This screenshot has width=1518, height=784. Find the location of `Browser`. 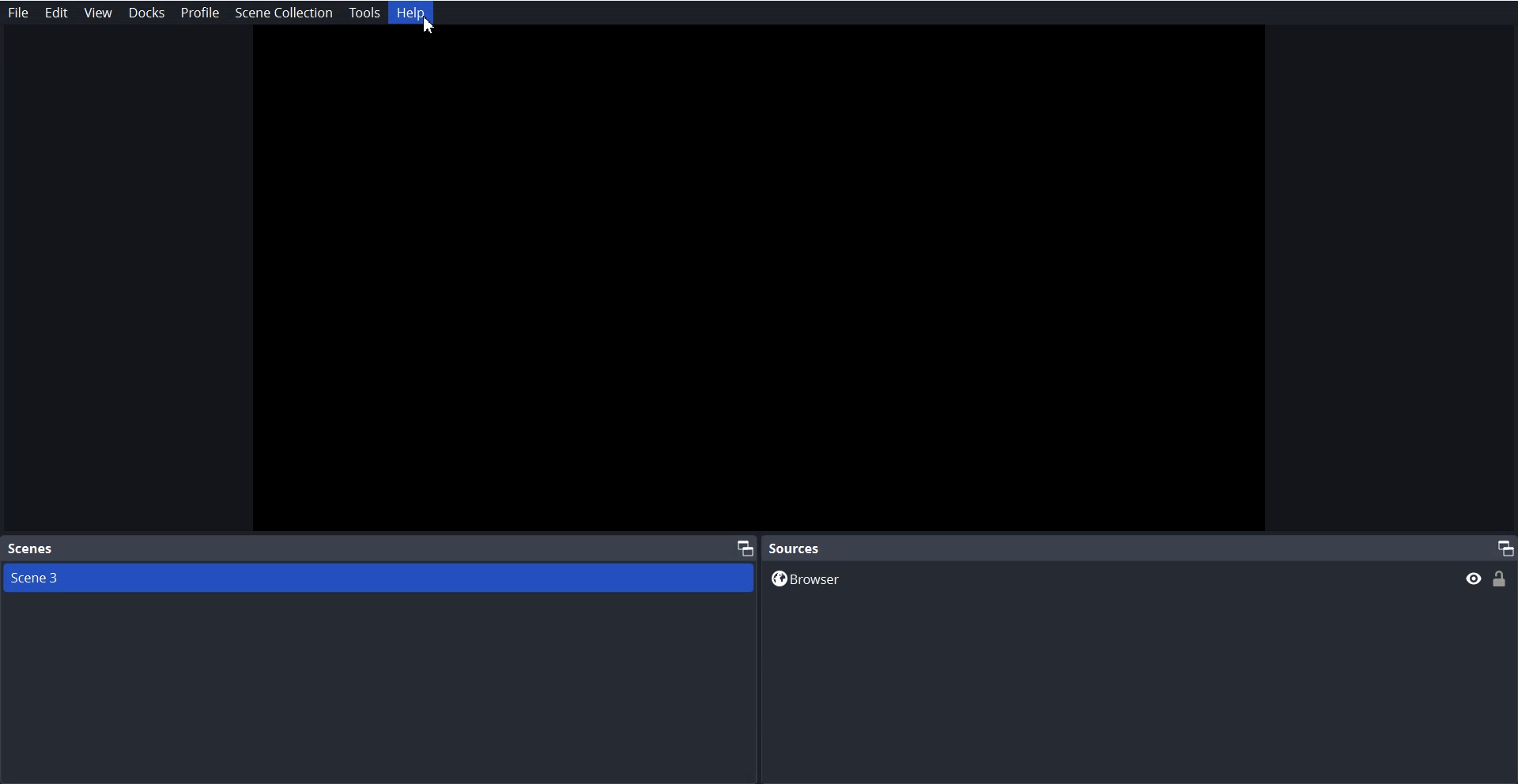

Browser is located at coordinates (1100, 578).